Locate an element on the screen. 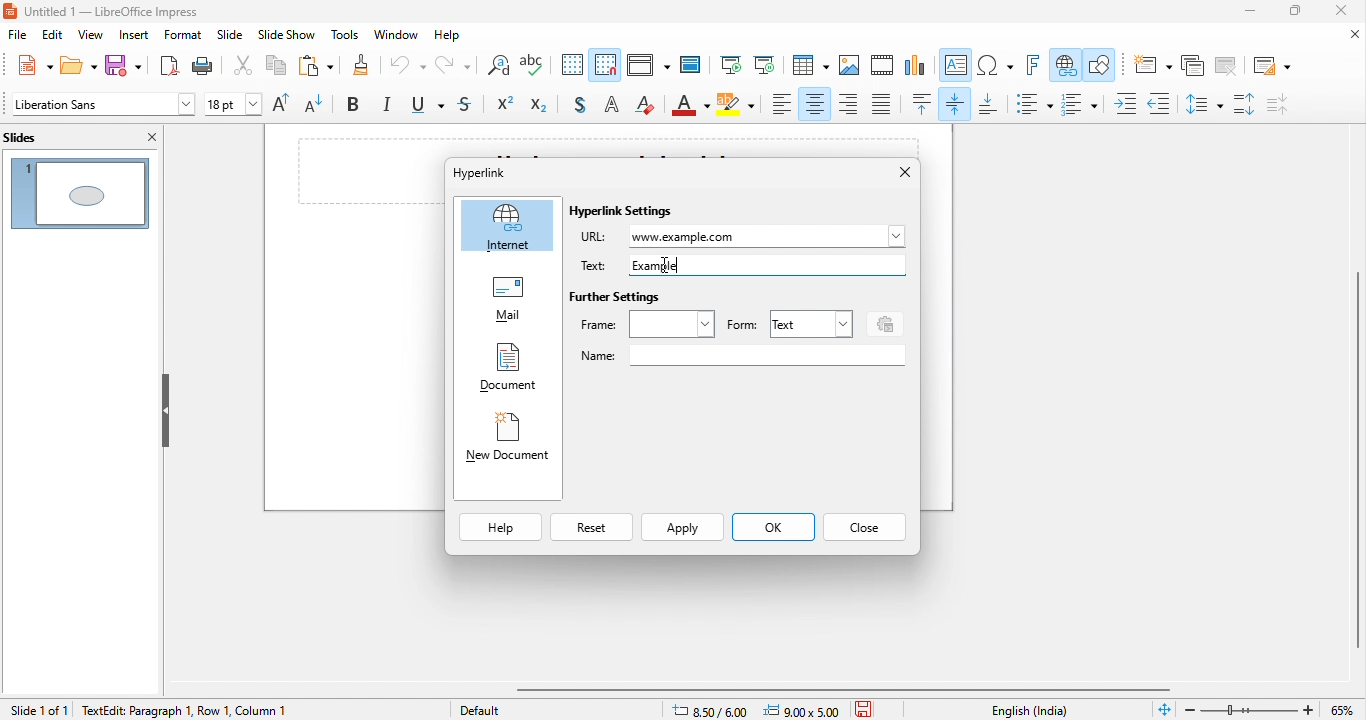  snap to grid is located at coordinates (607, 64).